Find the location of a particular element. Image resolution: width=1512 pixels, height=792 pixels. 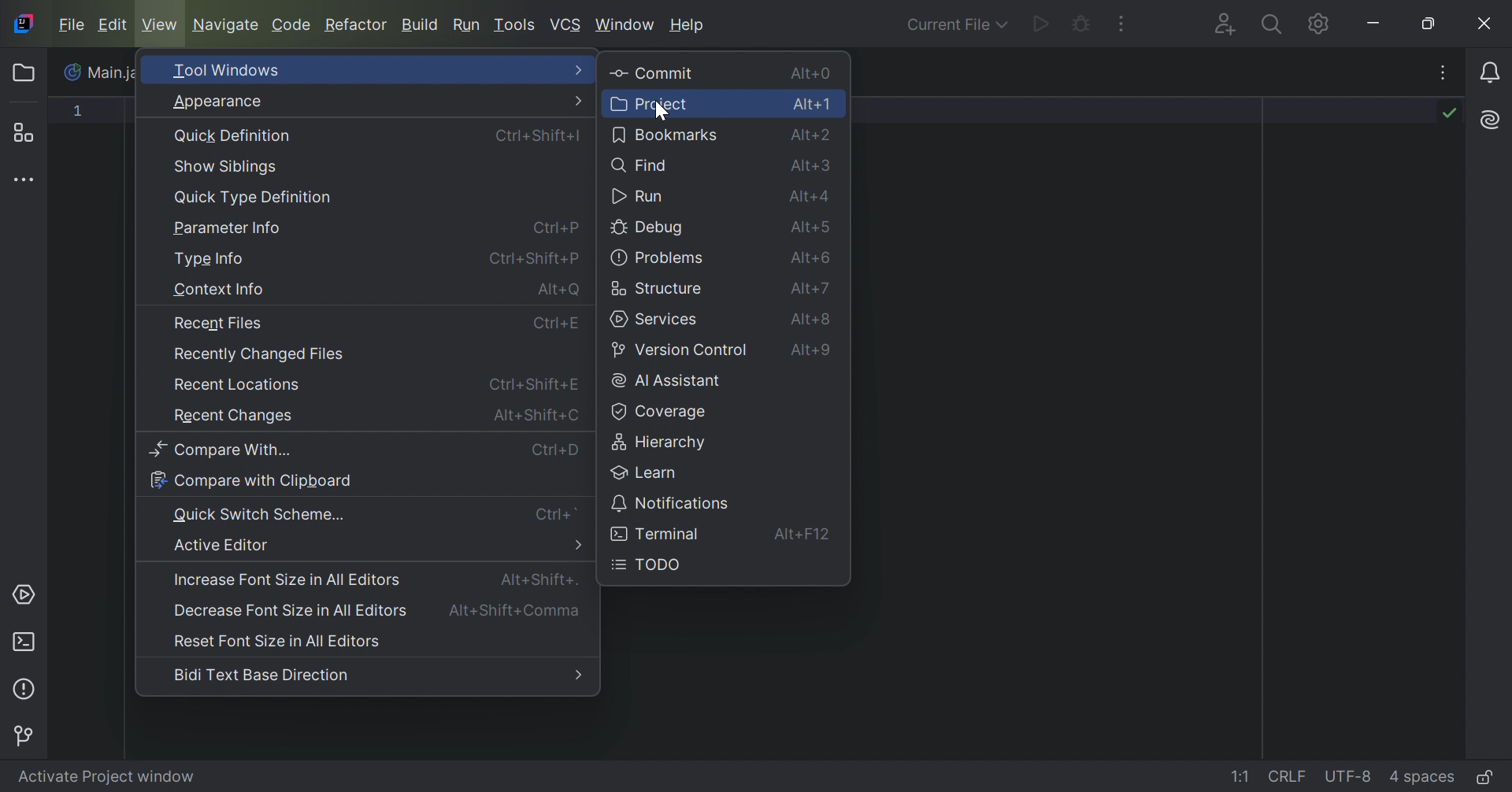

Updates available. IDE and Project Settings. is located at coordinates (1314, 24).